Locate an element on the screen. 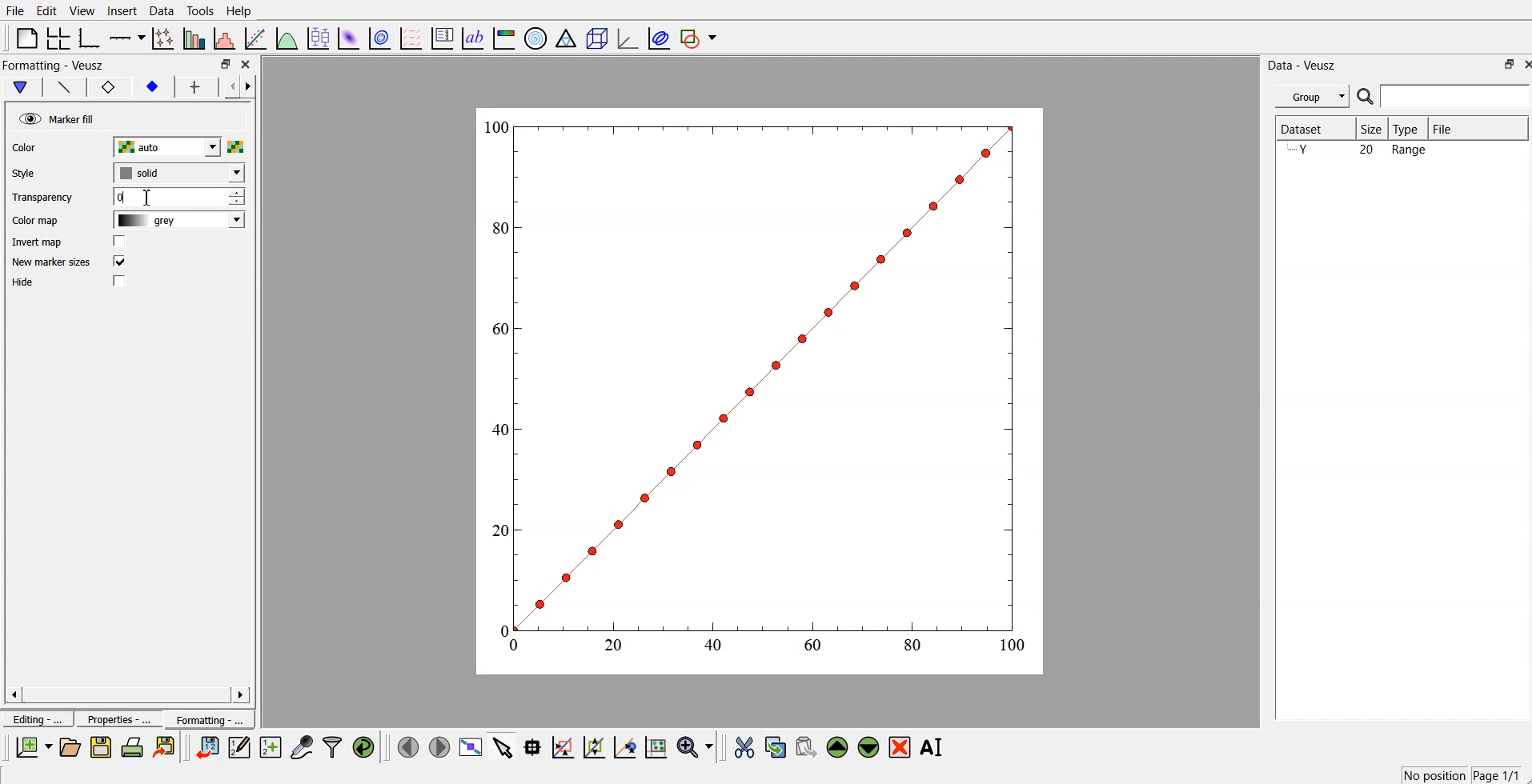 The height and width of the screenshot is (784, 1532). solid is located at coordinates (176, 173).